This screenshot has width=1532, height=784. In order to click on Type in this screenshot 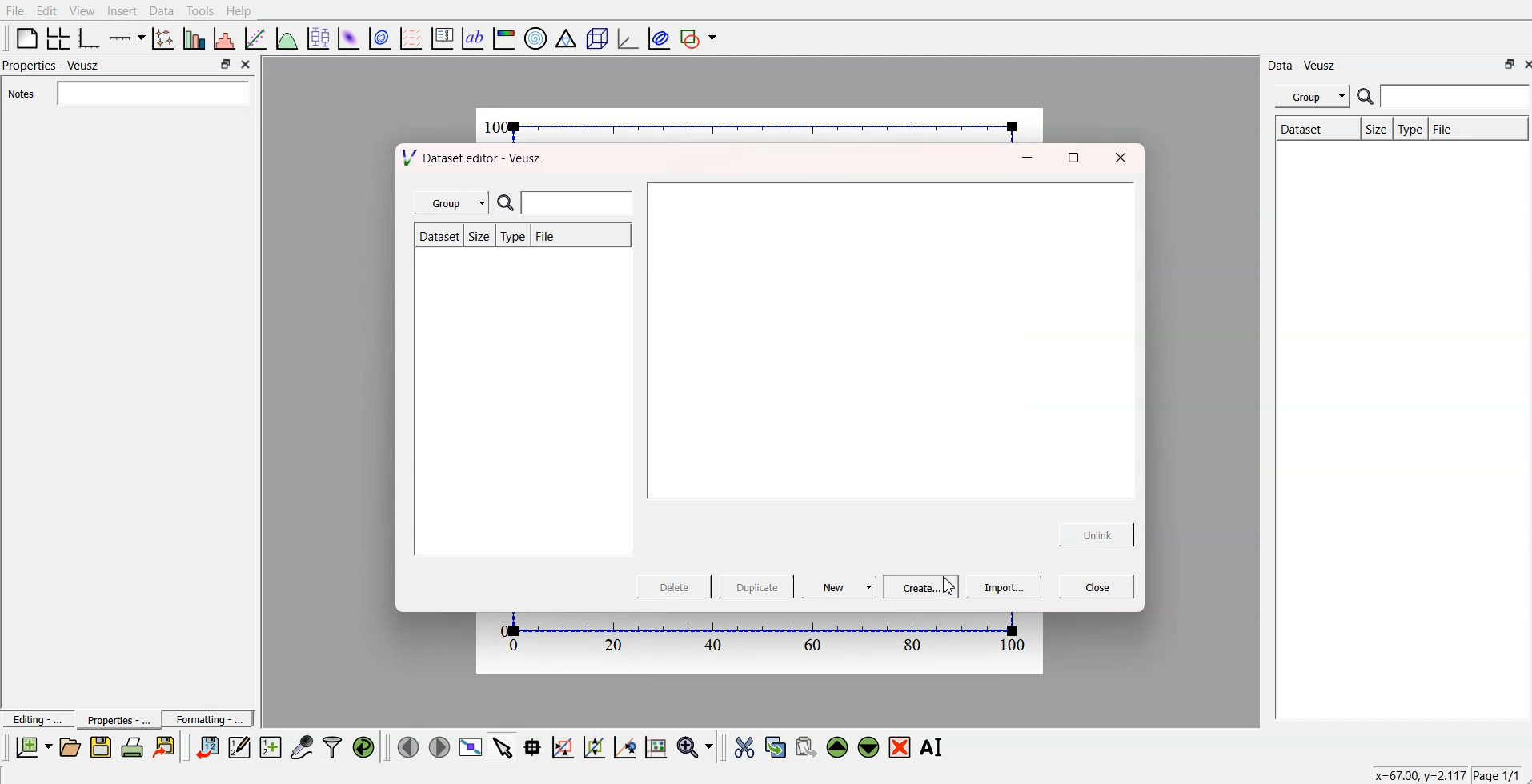, I will do `click(513, 236)`.